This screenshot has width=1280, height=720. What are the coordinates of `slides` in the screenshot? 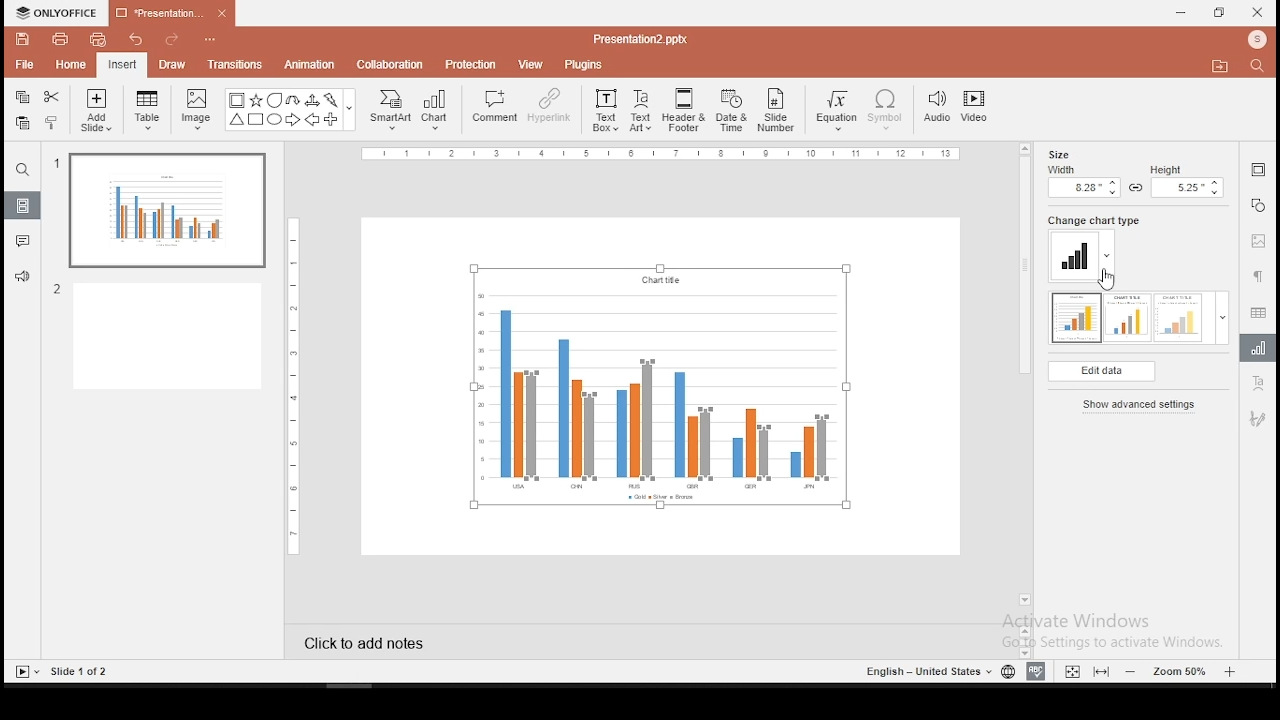 It's located at (21, 205).